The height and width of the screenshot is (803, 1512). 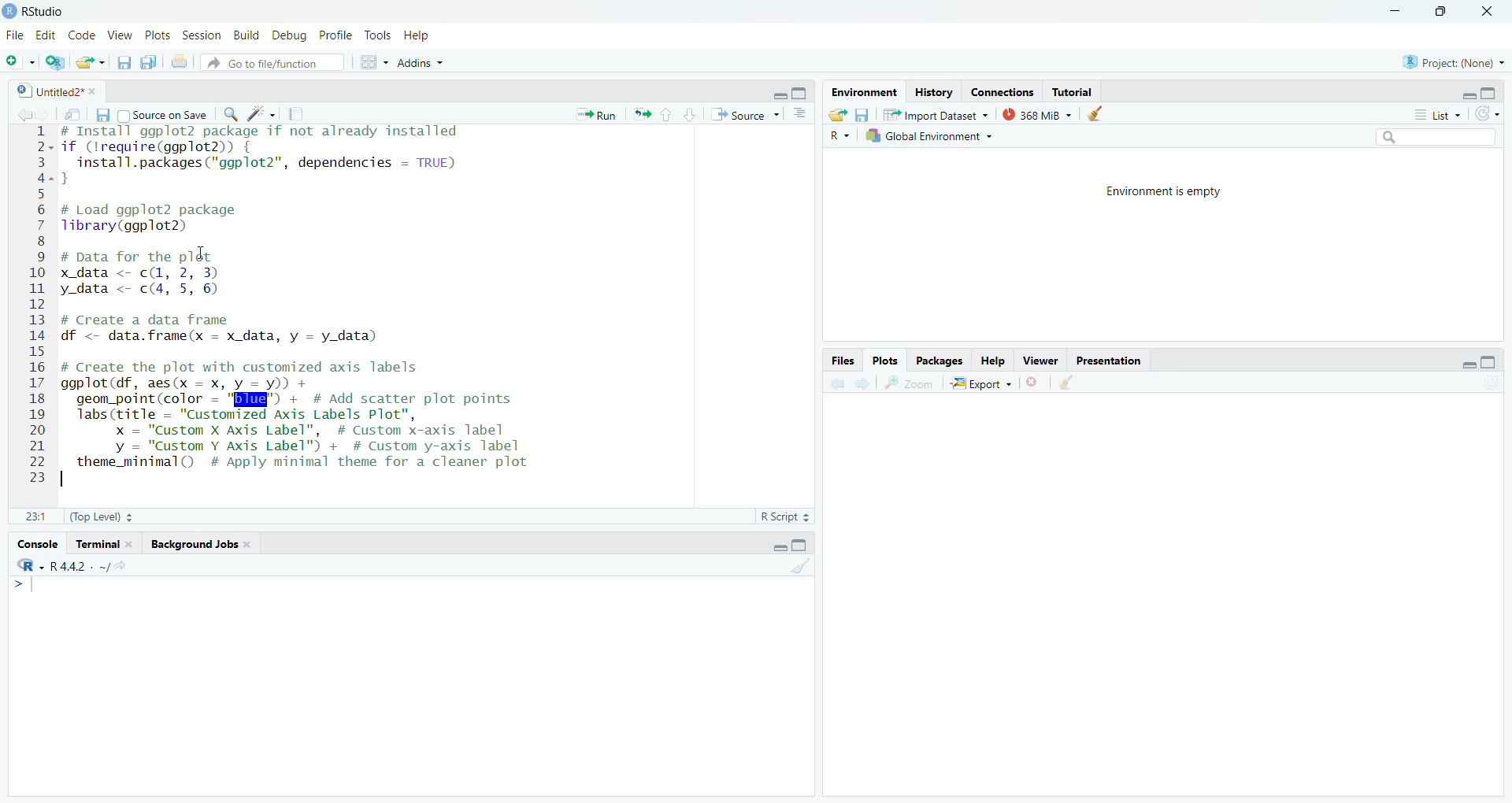 I want to click on refresh, so click(x=1487, y=114).